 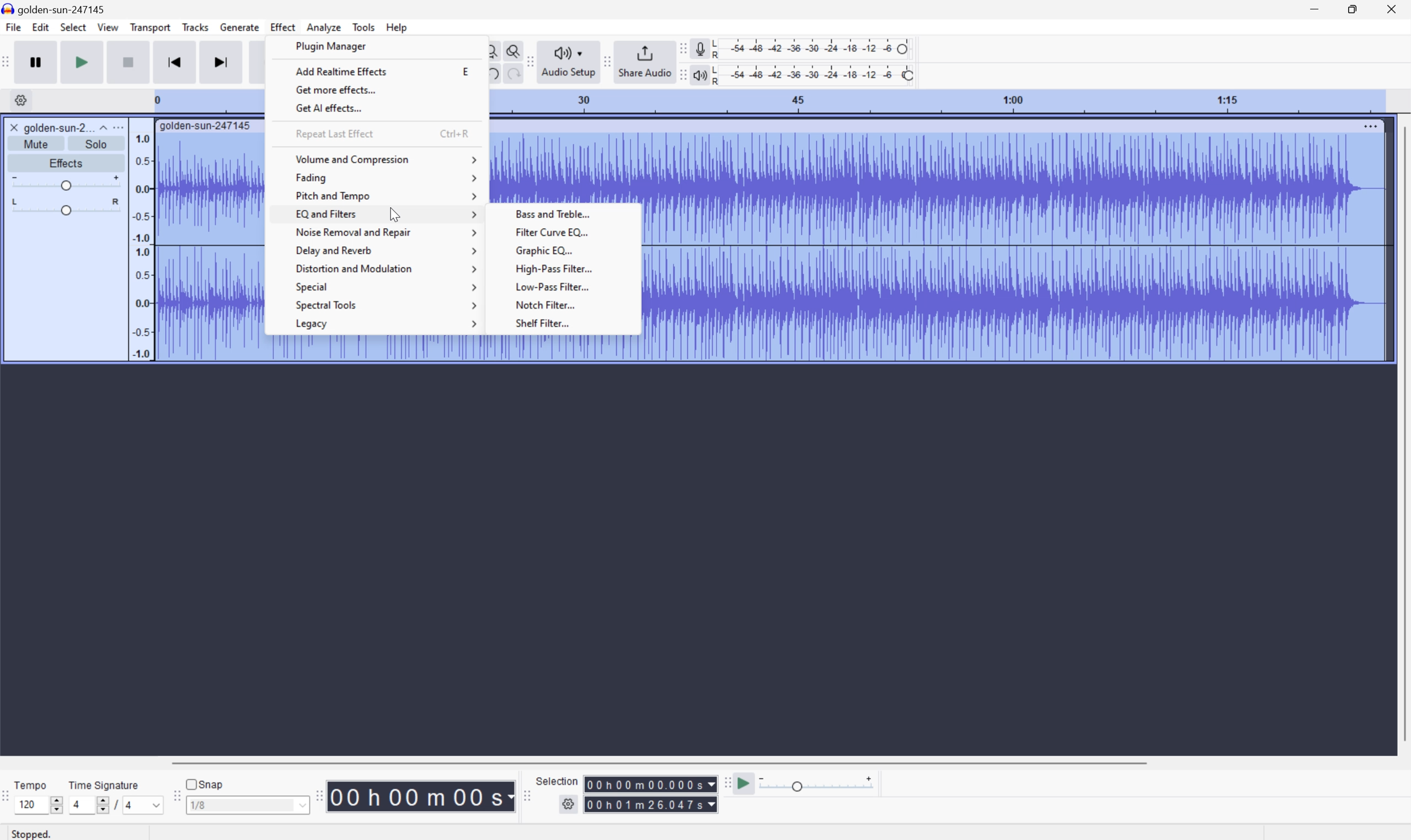 I want to click on Slider, so click(x=66, y=207).